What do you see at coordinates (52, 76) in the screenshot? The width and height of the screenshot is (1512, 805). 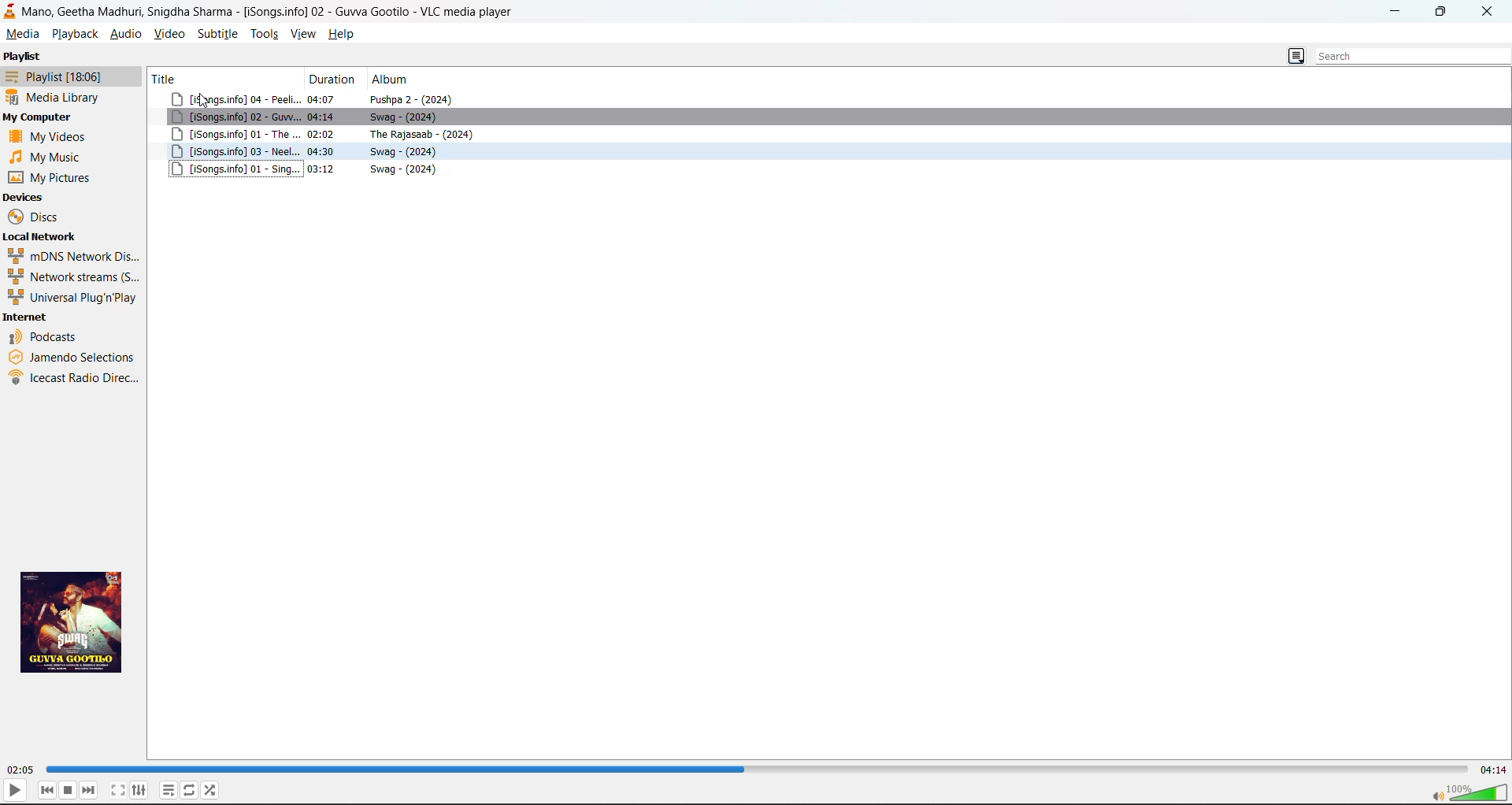 I see `playlist` at bounding box center [52, 76].